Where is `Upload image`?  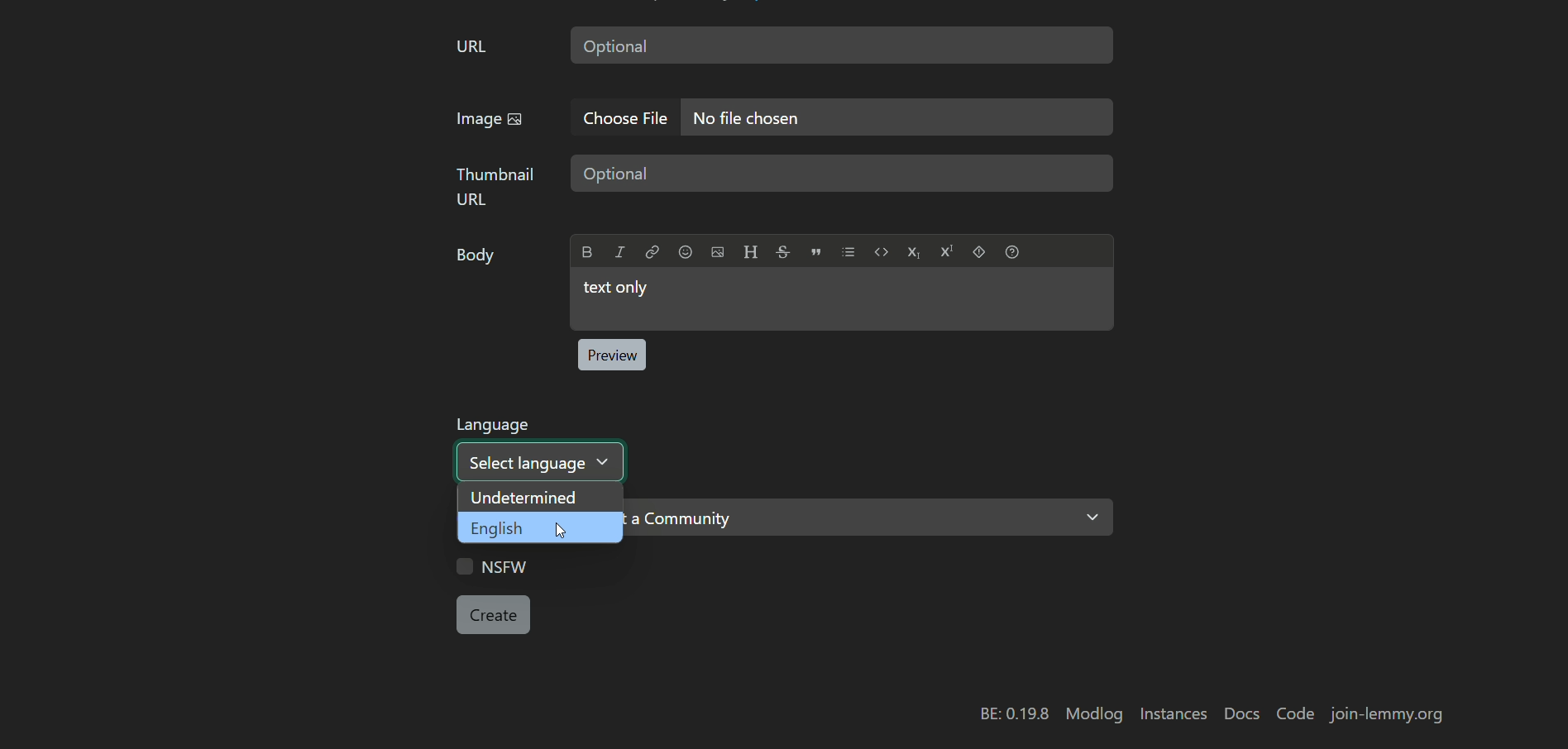 Upload image is located at coordinates (718, 252).